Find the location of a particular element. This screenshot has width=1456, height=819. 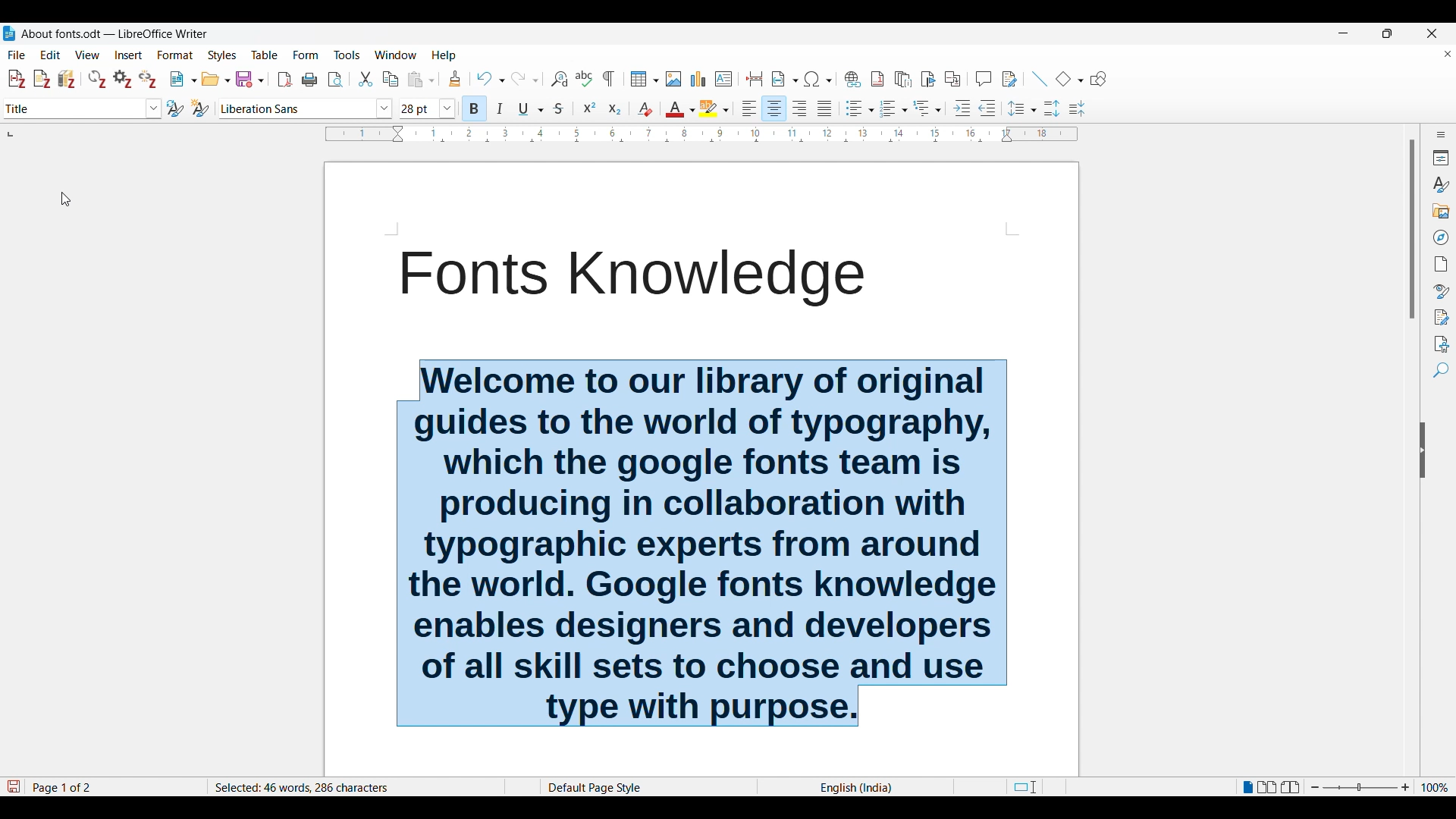

Save is located at coordinates (250, 79).